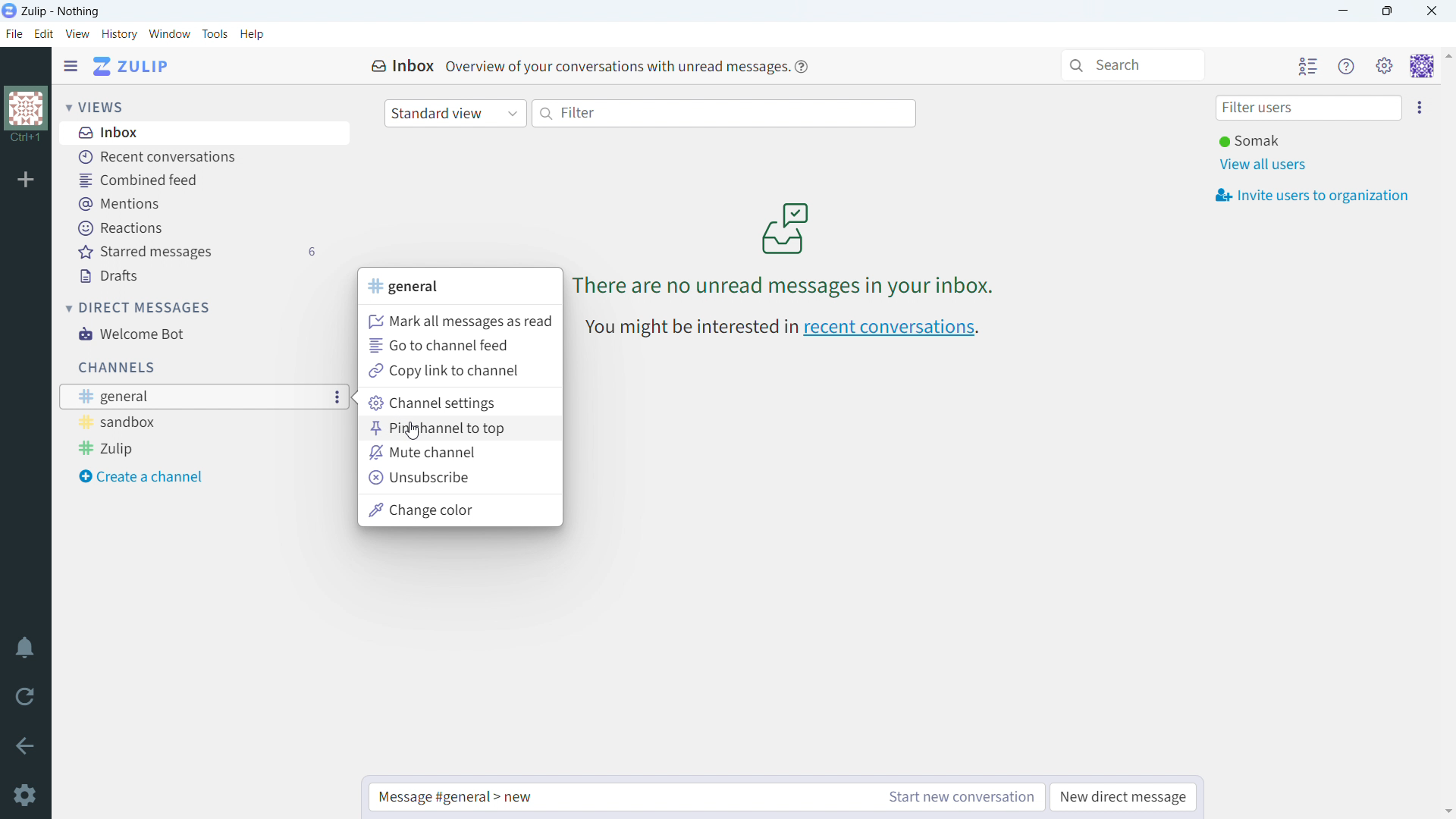 The image size is (1456, 819). I want to click on create a channel, so click(180, 477).